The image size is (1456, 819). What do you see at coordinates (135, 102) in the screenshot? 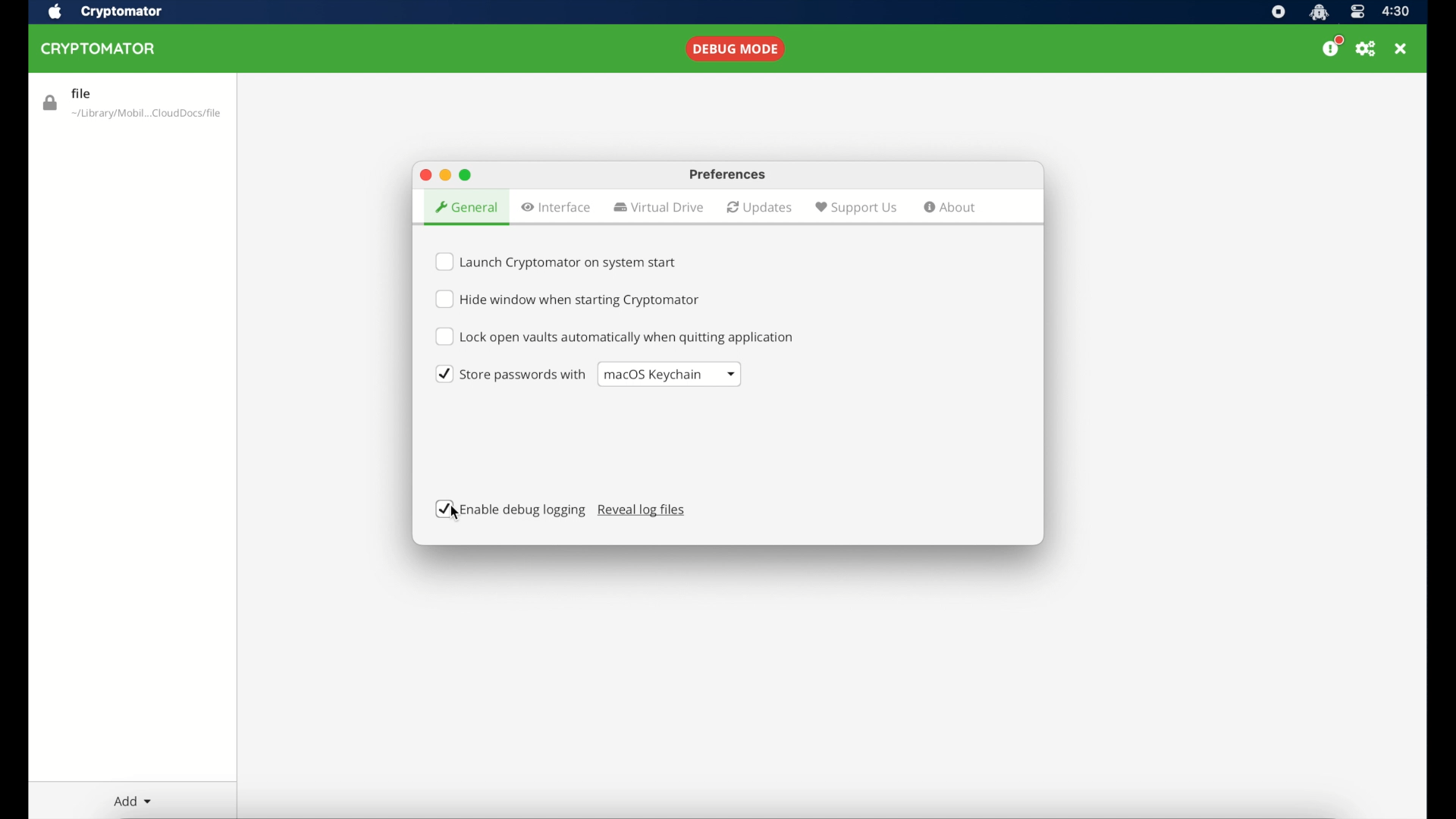
I see `file` at bounding box center [135, 102].